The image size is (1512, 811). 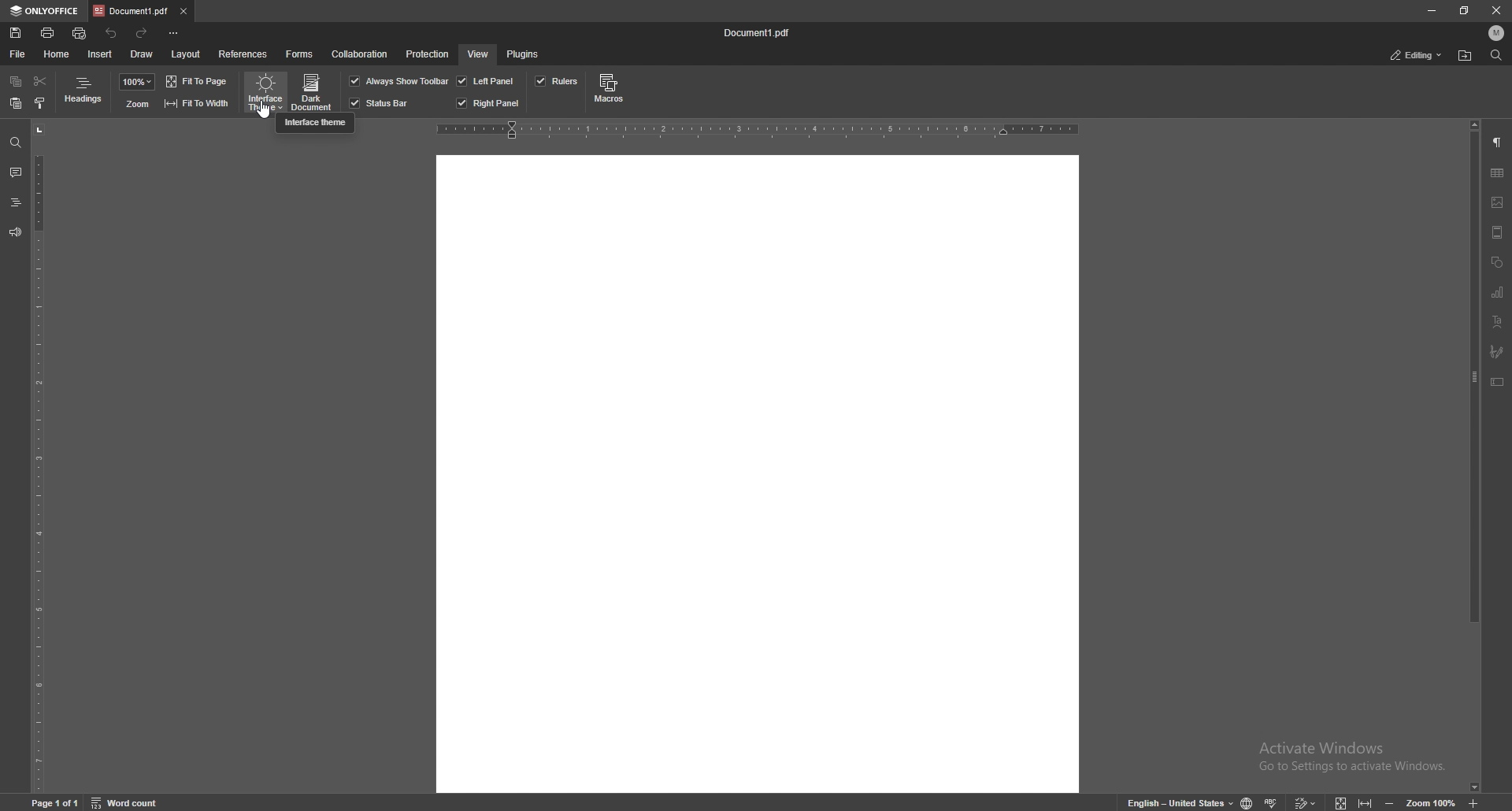 I want to click on shapes, so click(x=1497, y=262).